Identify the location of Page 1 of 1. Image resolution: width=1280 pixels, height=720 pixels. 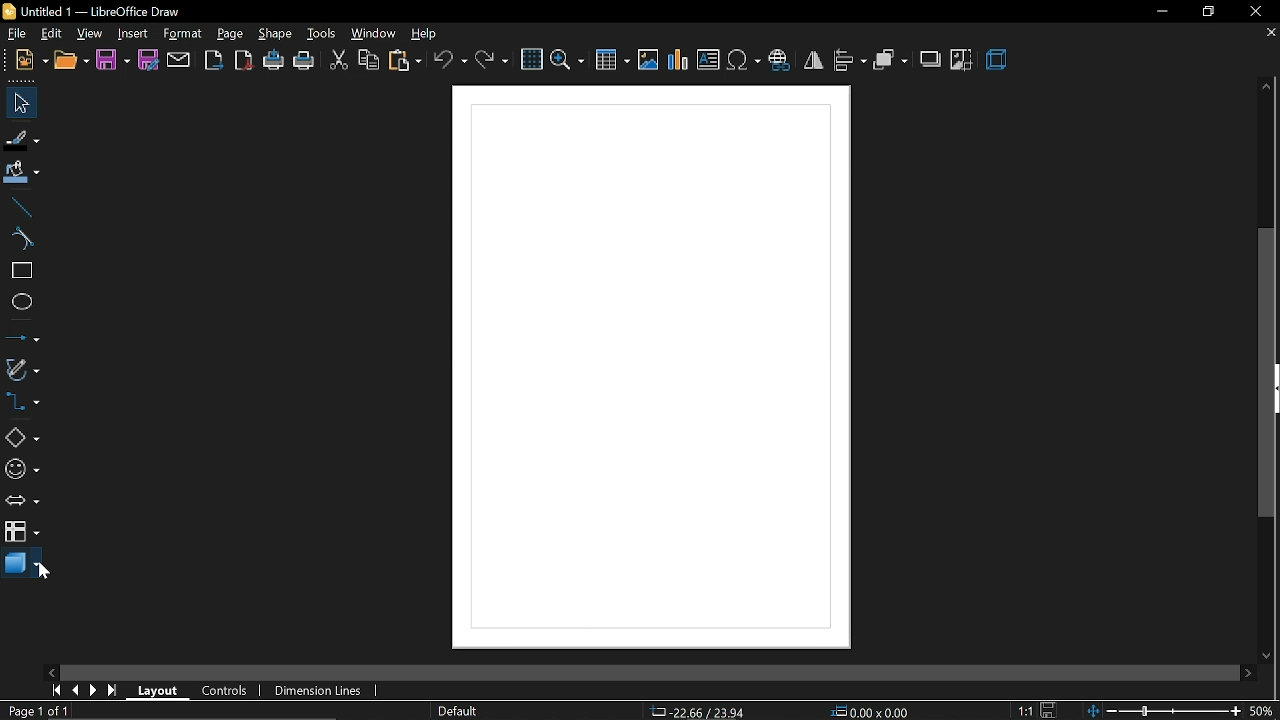
(35, 711).